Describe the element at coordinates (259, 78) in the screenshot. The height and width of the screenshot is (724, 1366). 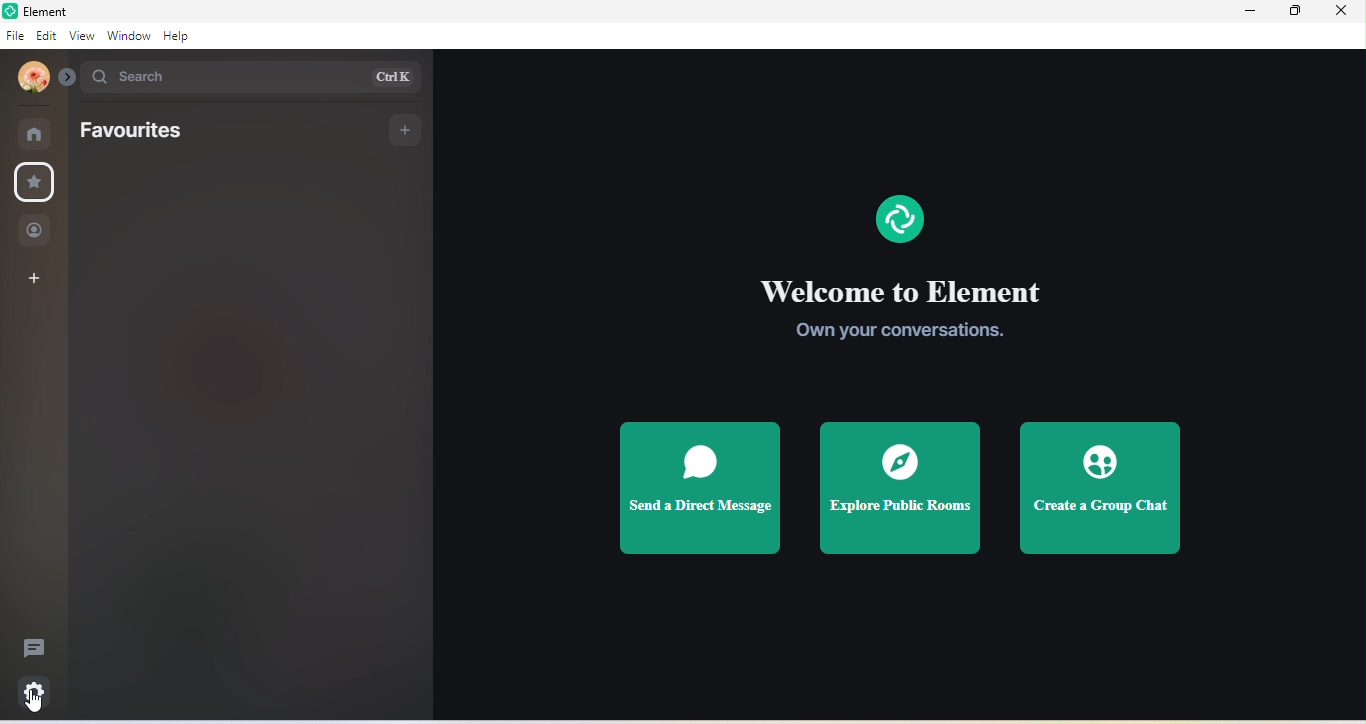
I see `search` at that location.